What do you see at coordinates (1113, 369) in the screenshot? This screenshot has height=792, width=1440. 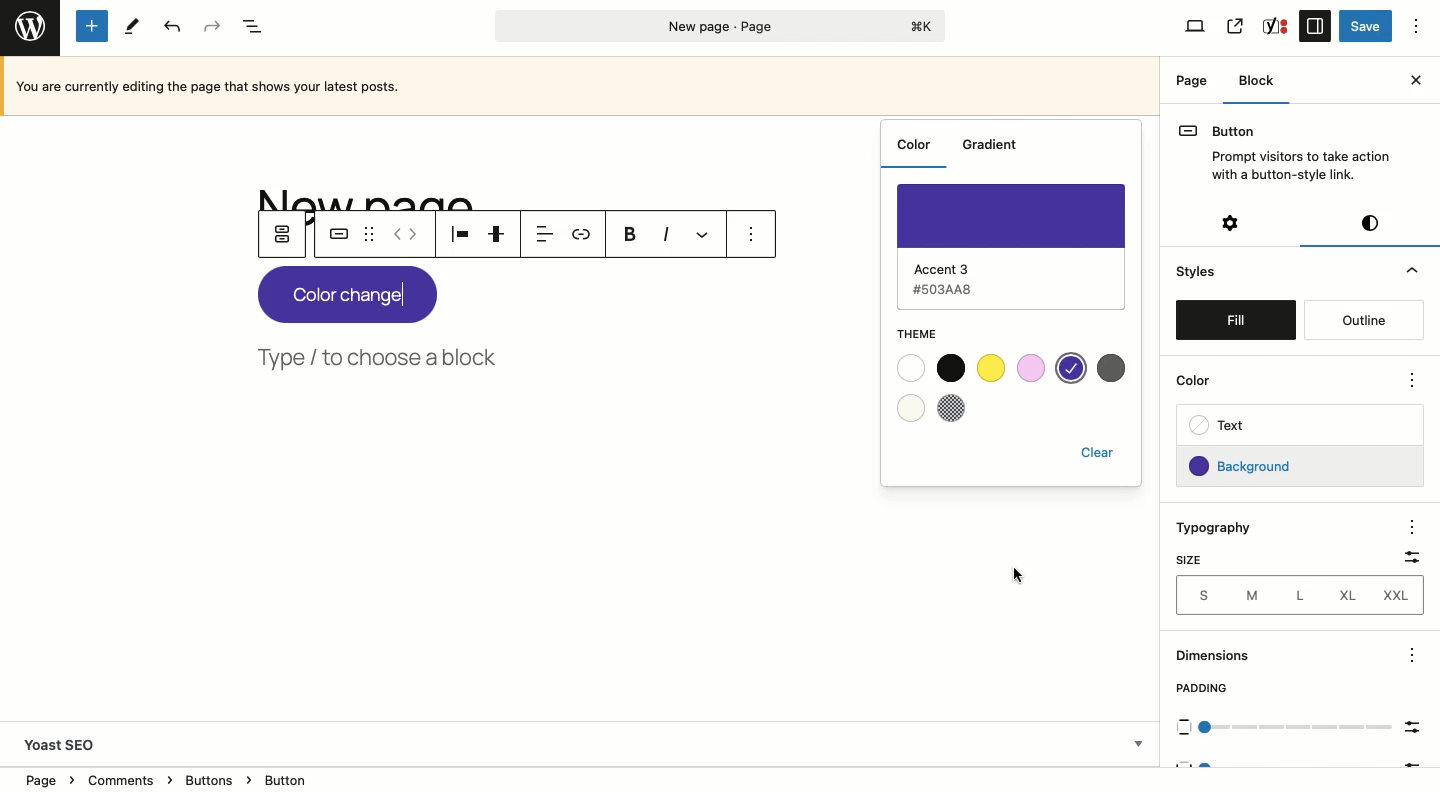 I see `Grey` at bounding box center [1113, 369].